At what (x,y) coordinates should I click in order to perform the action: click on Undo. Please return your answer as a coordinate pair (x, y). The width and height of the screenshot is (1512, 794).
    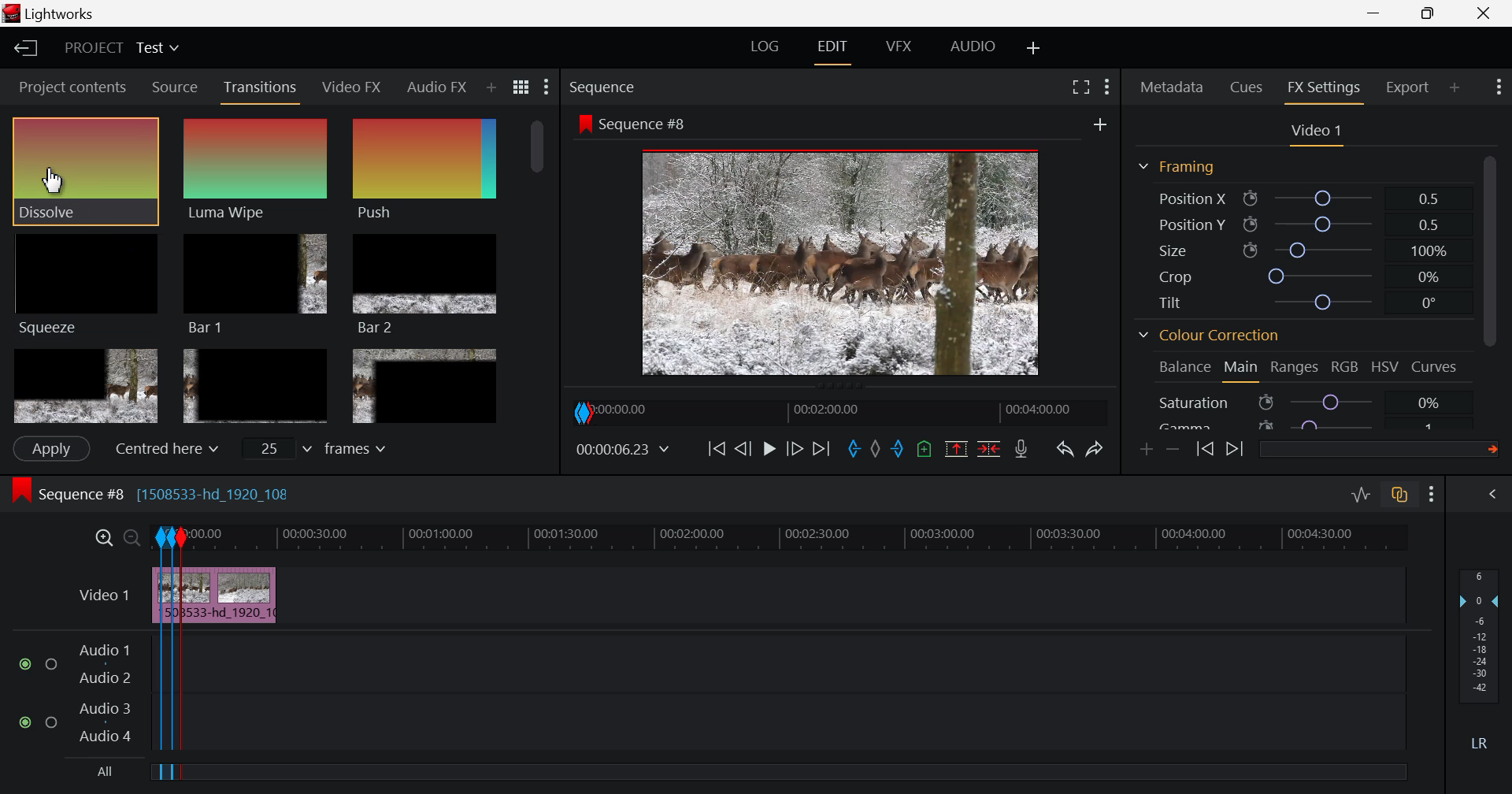
    Looking at the image, I should click on (1063, 447).